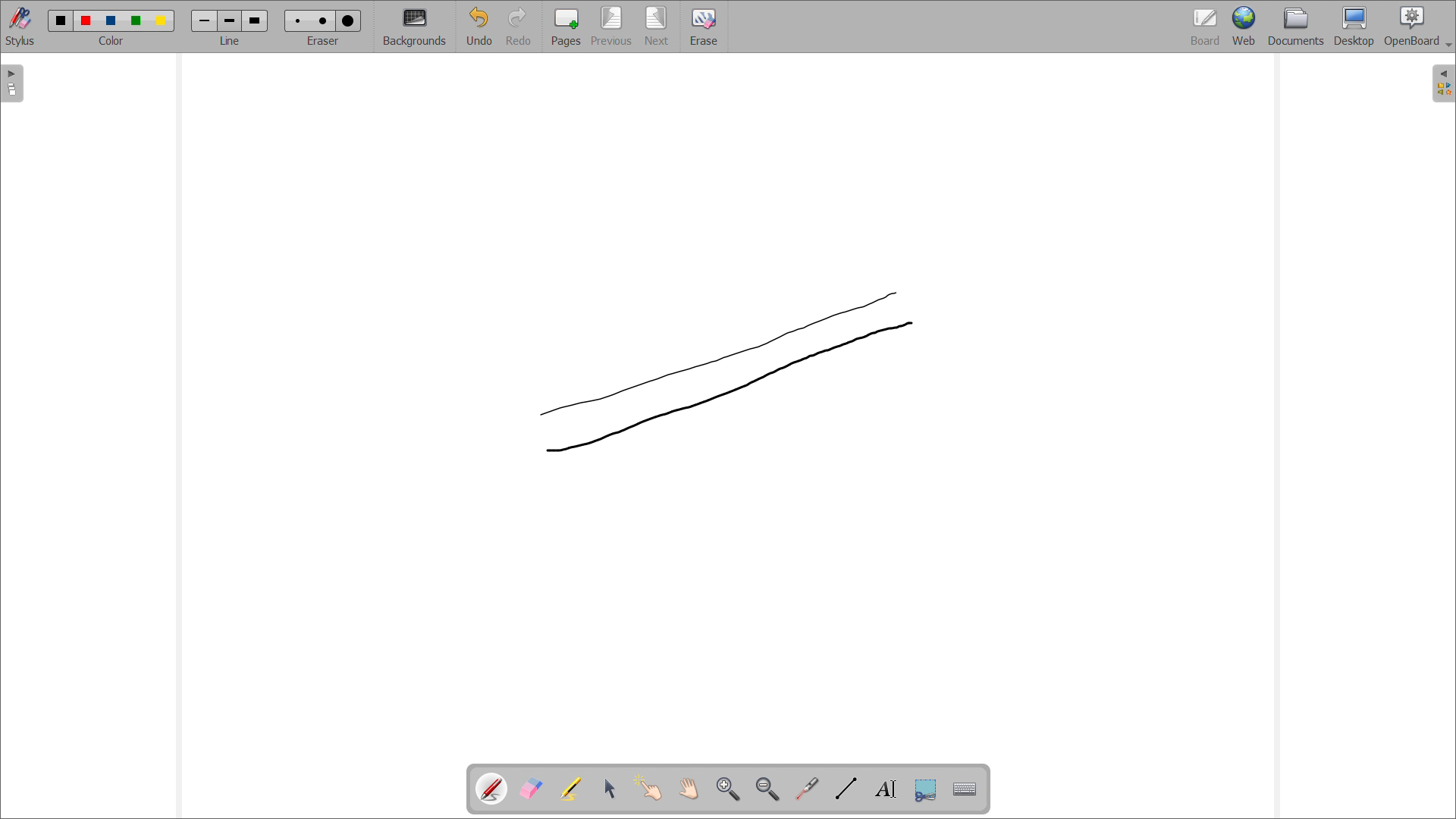  Describe the element at coordinates (846, 789) in the screenshot. I see `draw lines` at that location.